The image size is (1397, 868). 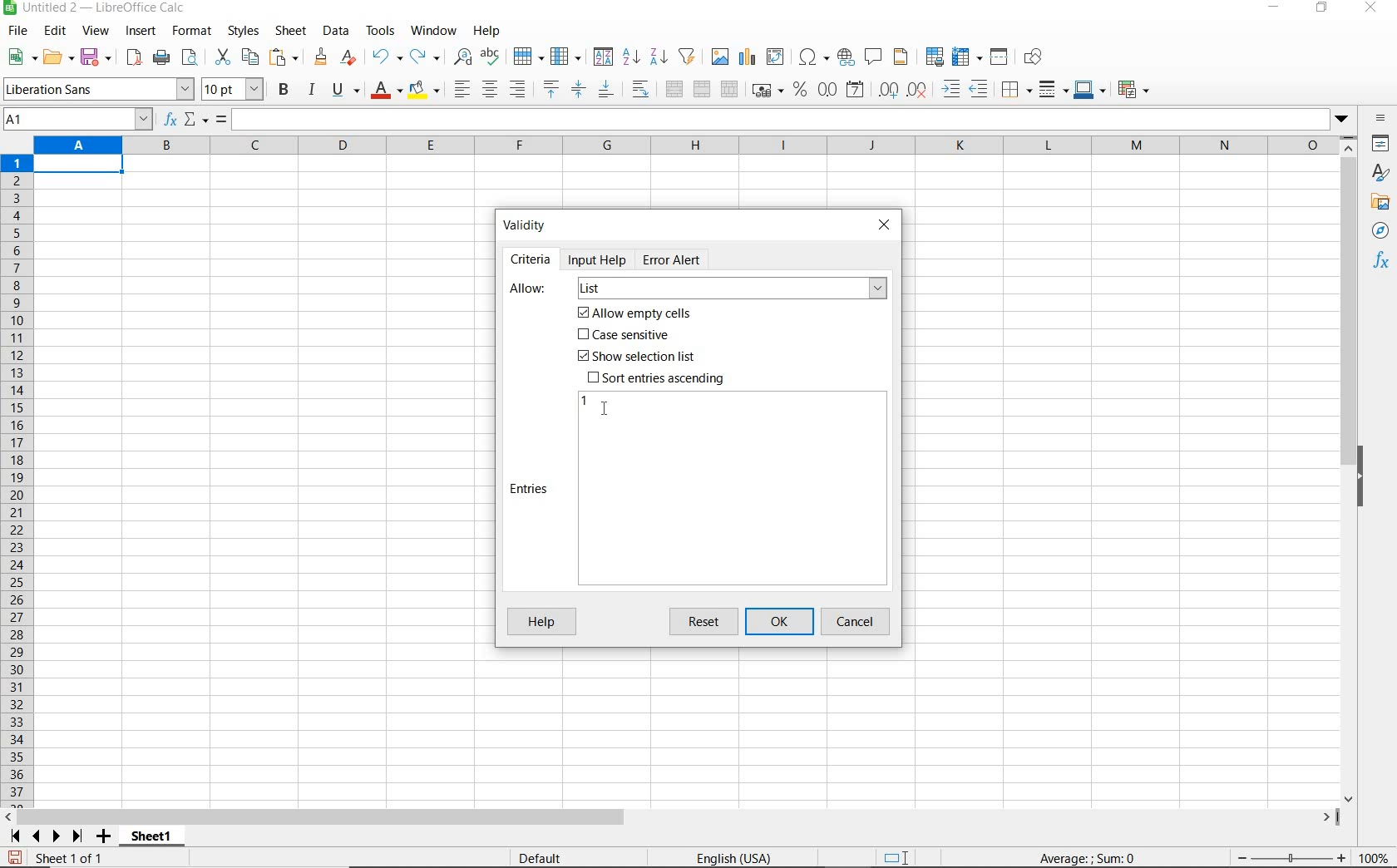 I want to click on expand formula bar/input line, so click(x=777, y=121).